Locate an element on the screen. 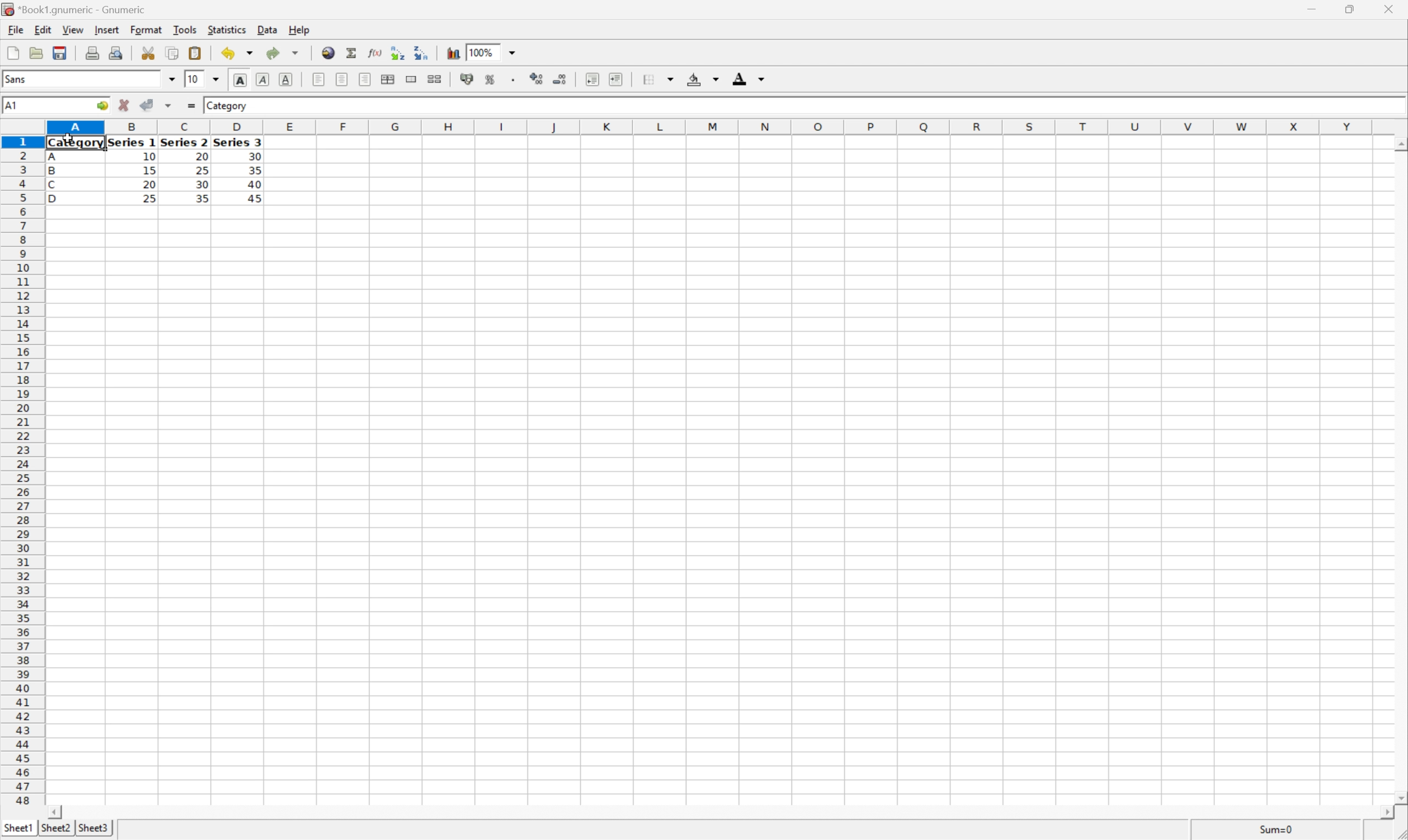 The height and width of the screenshot is (840, 1408). 25 is located at coordinates (203, 170).